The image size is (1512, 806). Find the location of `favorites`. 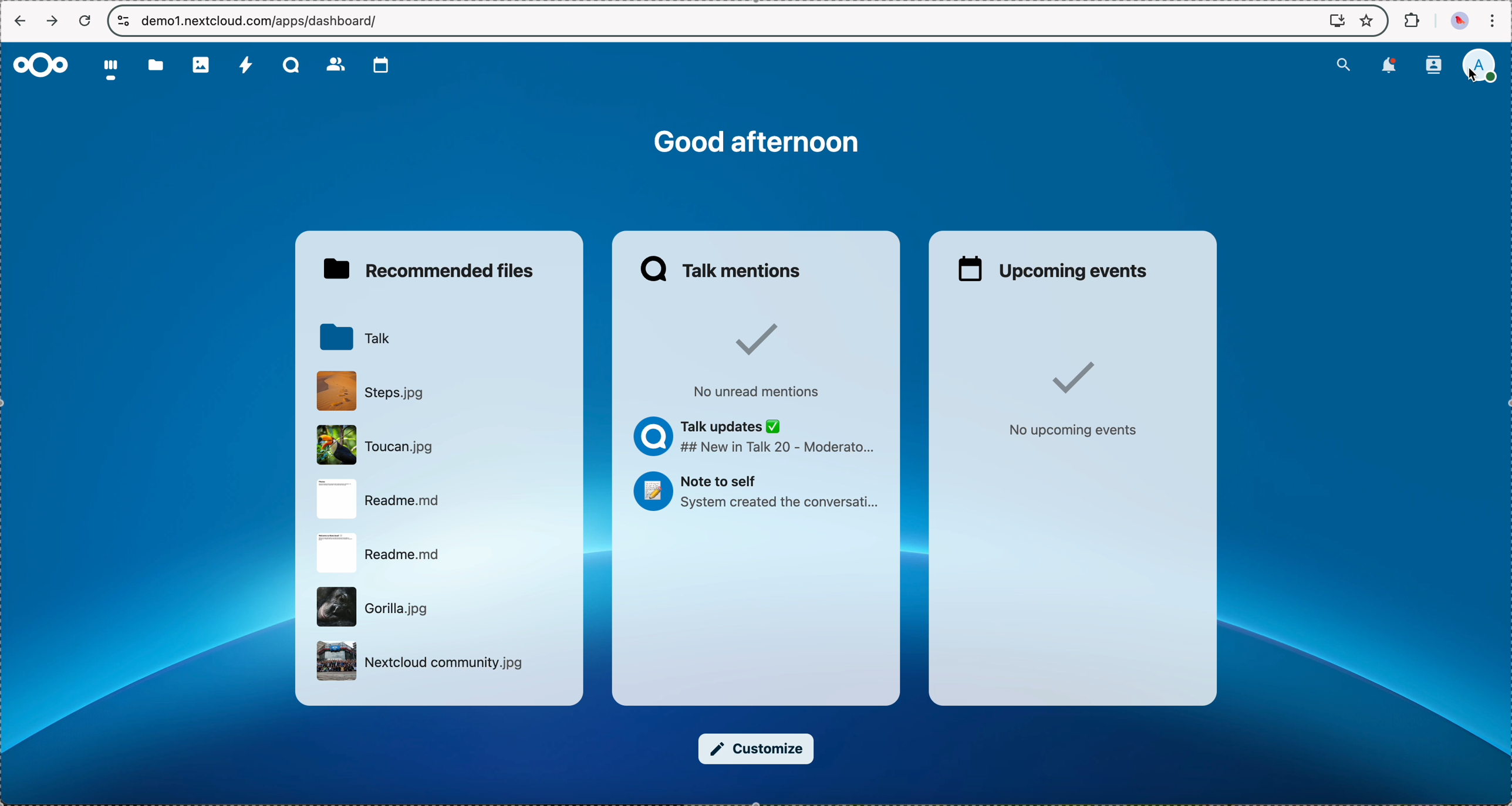

favorites is located at coordinates (1368, 19).